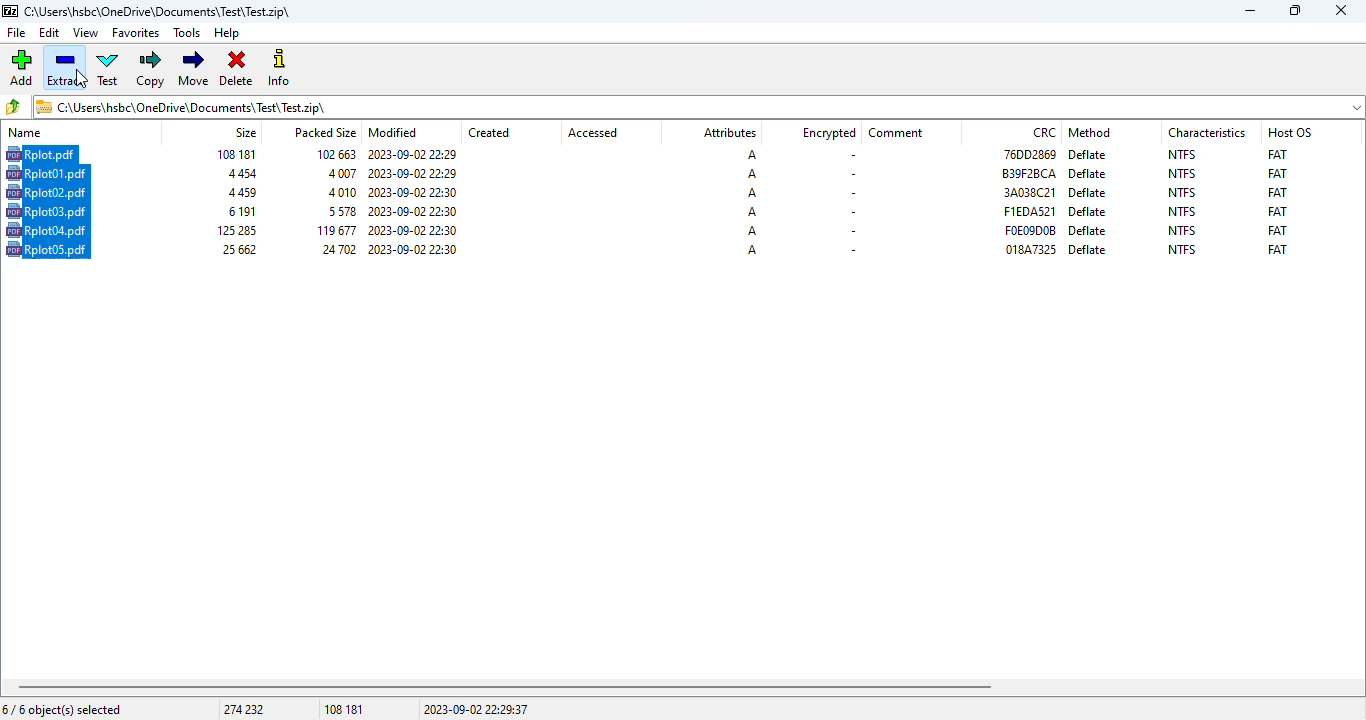  I want to click on file, so click(46, 211).